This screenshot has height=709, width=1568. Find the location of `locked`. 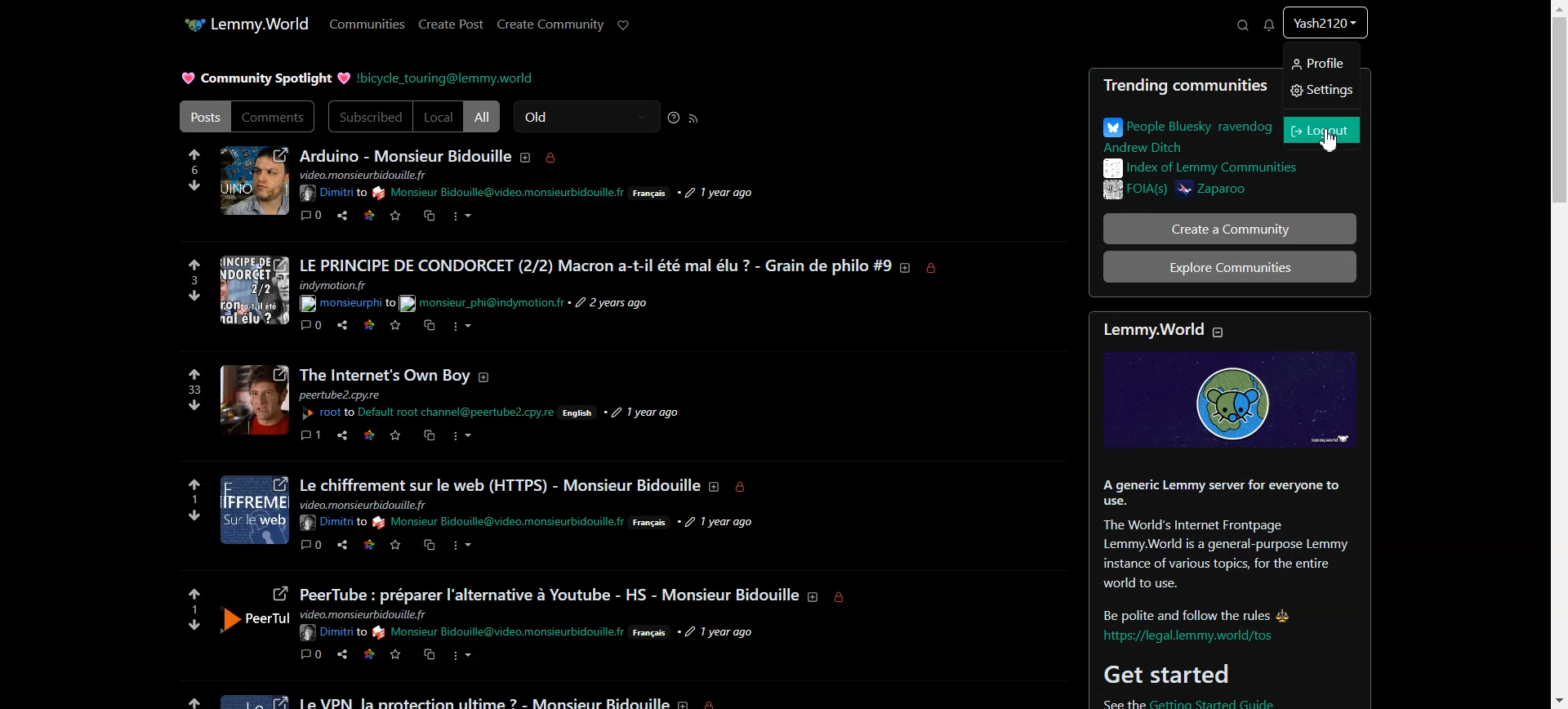

locked is located at coordinates (718, 702).